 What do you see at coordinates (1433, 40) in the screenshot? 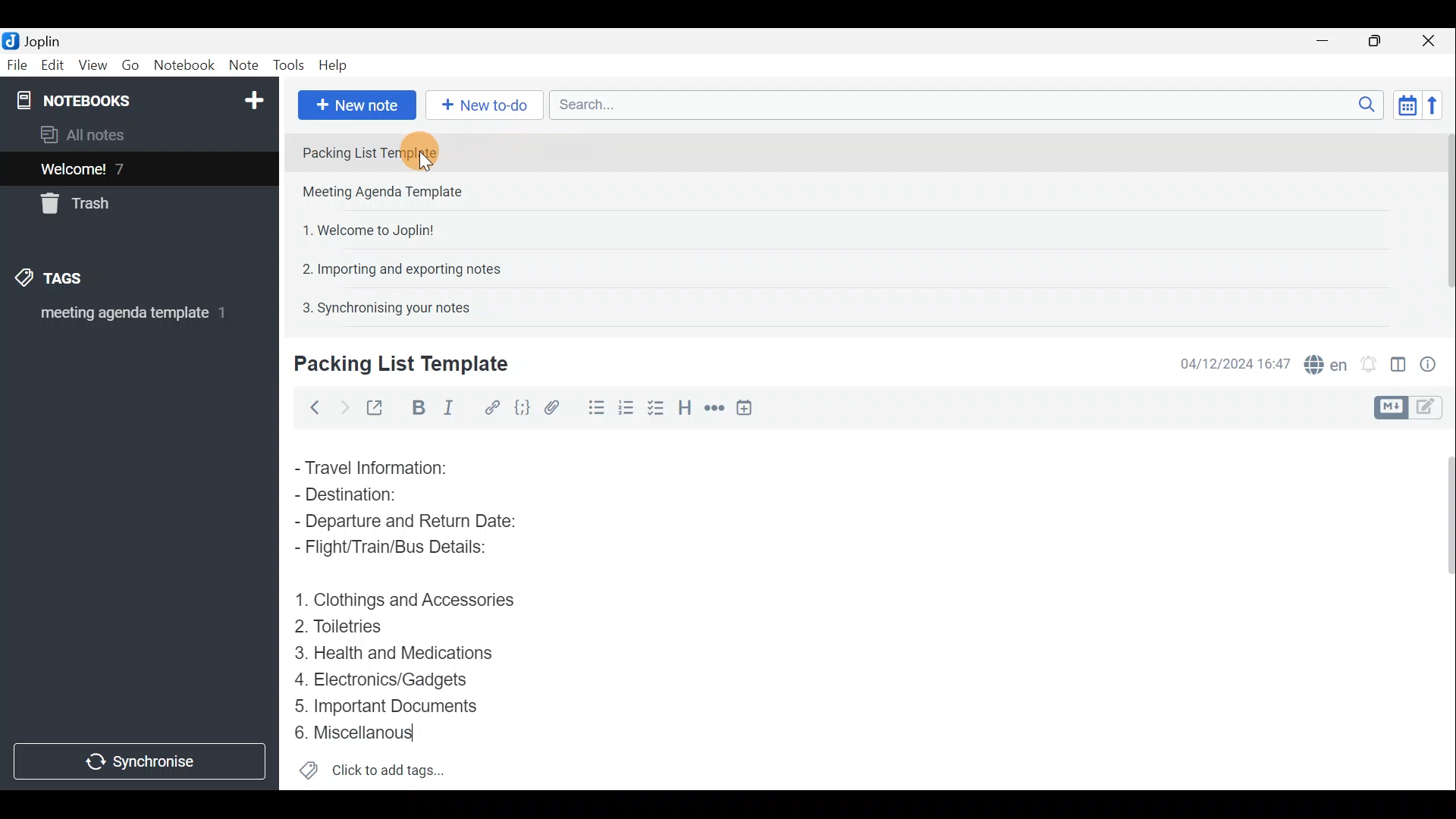
I see `Close` at bounding box center [1433, 40].